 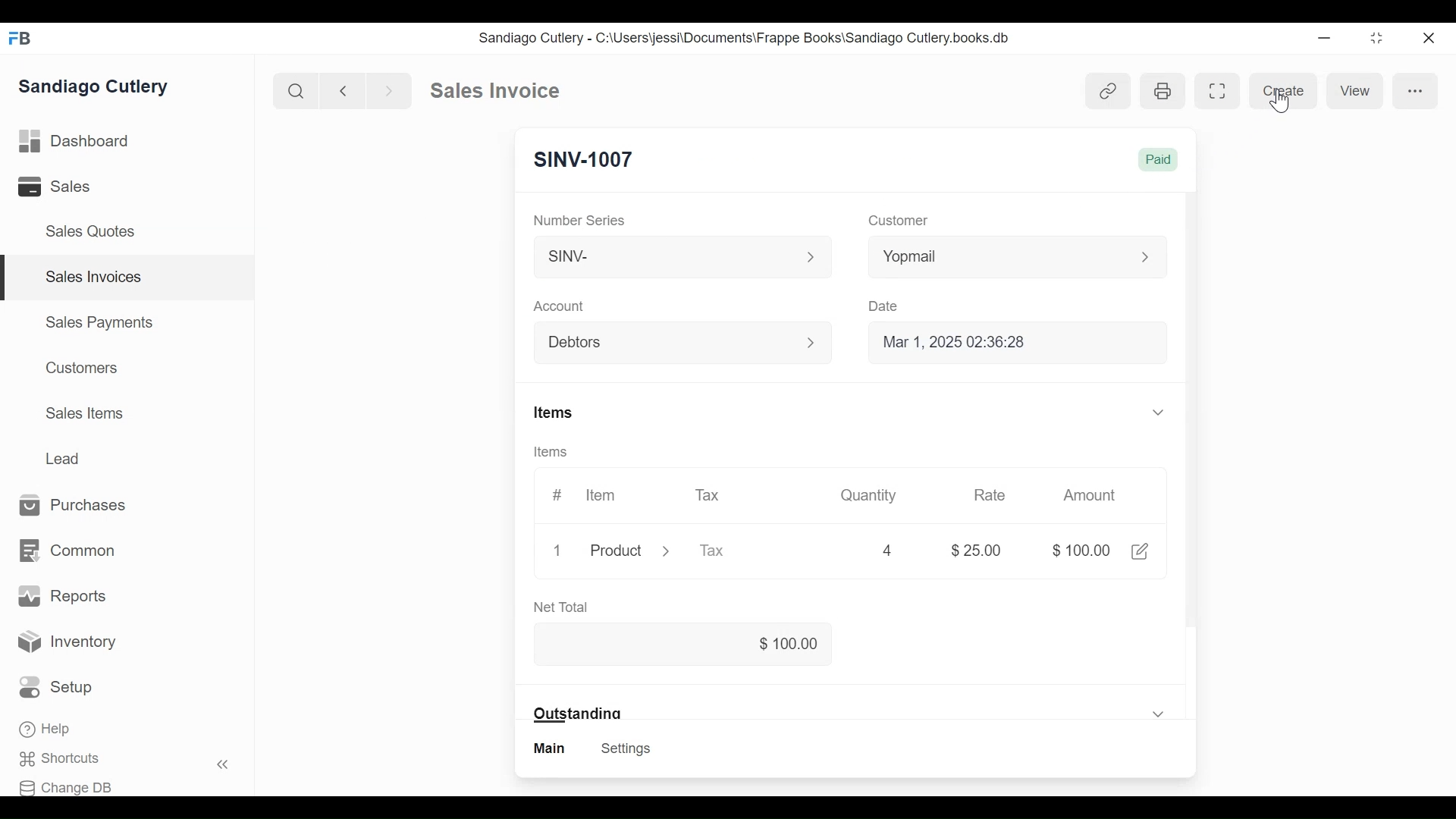 I want to click on Quantity, so click(x=868, y=496).